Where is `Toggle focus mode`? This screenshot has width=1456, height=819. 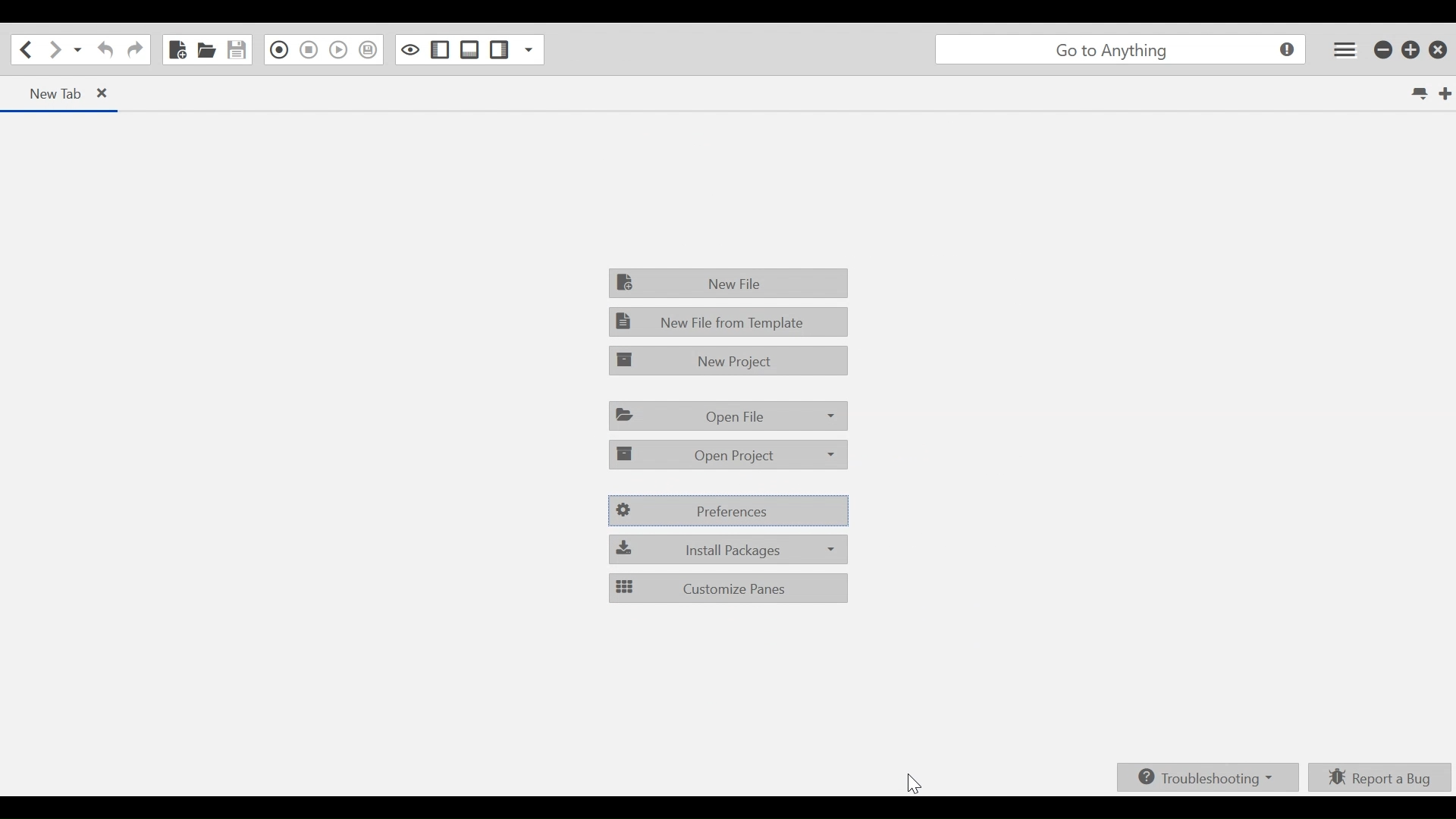
Toggle focus mode is located at coordinates (410, 49).